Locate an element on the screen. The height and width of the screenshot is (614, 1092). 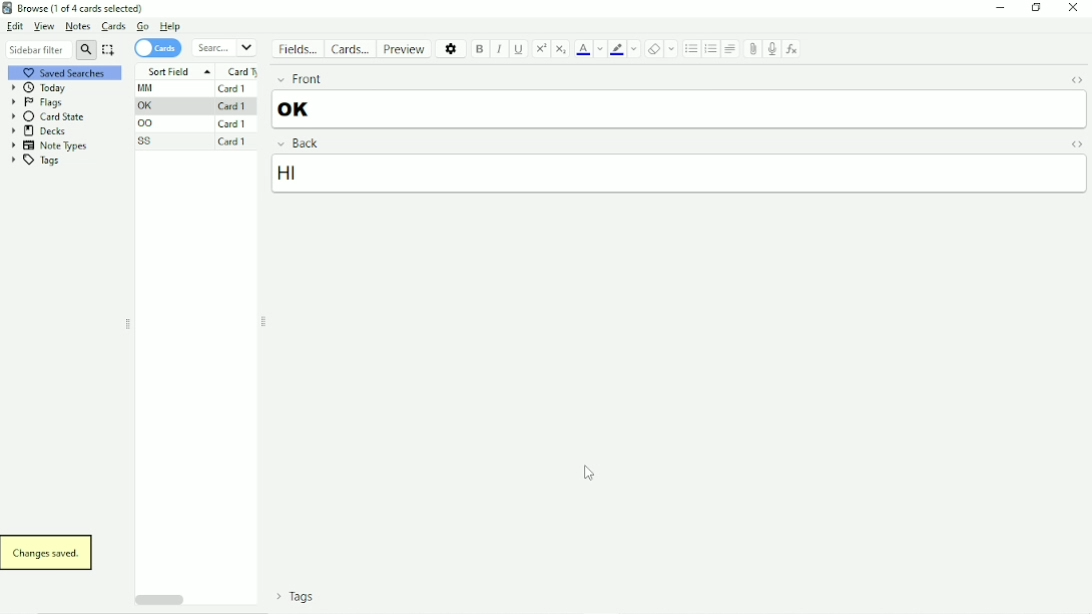
Select is located at coordinates (109, 50).